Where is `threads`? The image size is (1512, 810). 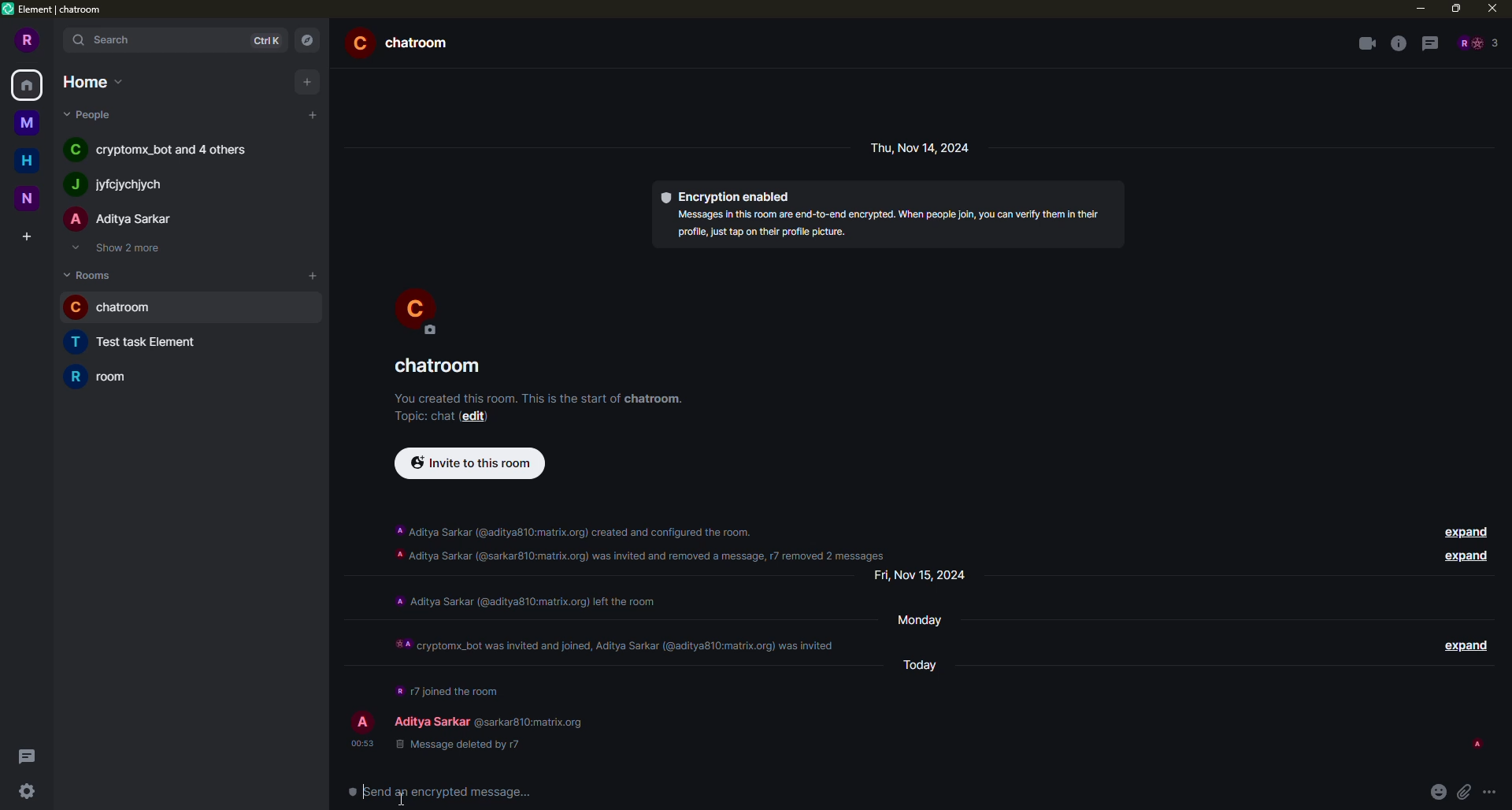 threads is located at coordinates (1430, 44).